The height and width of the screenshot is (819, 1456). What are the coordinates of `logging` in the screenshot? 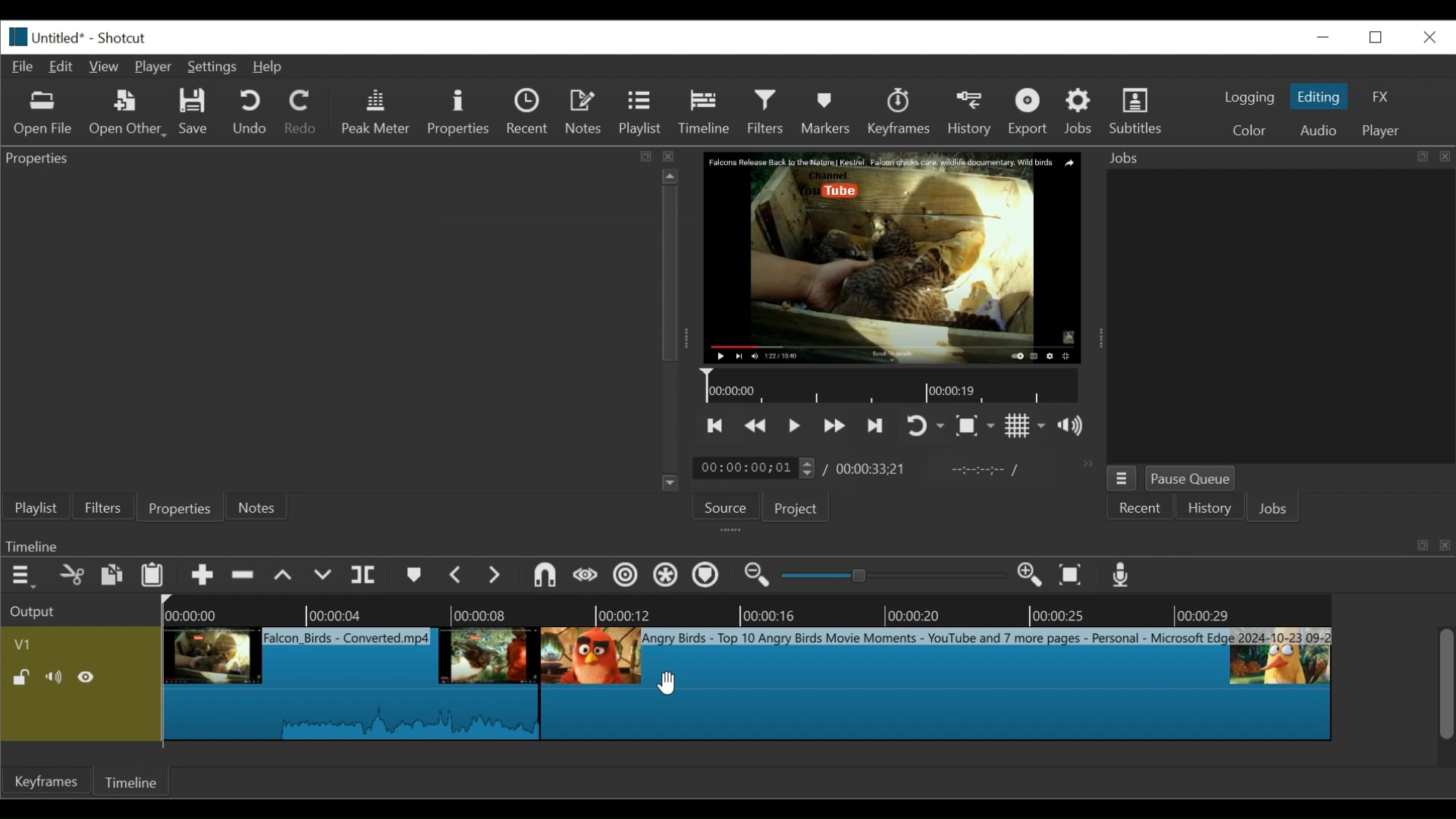 It's located at (1250, 99).